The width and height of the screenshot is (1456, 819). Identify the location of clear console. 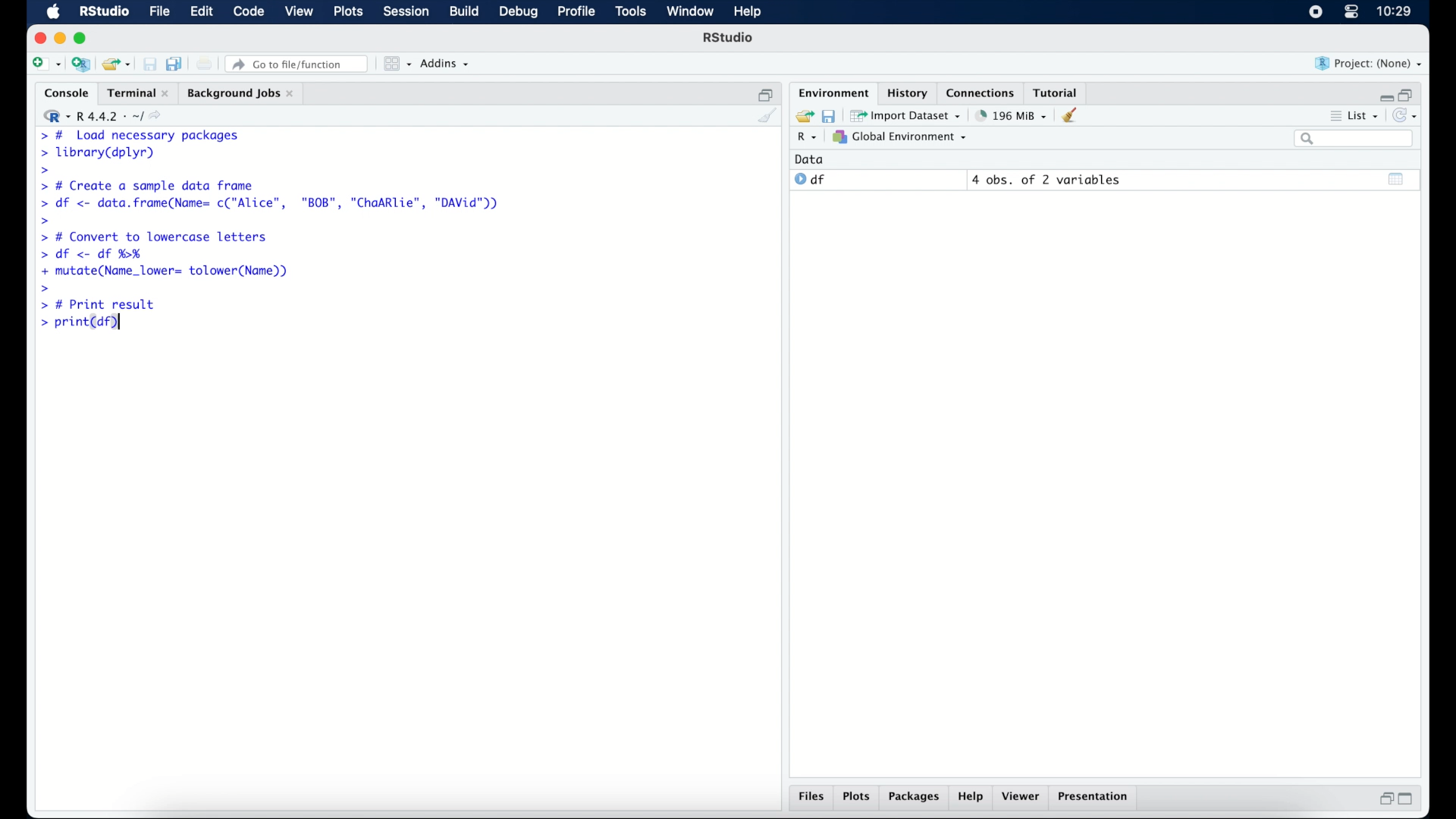
(770, 117).